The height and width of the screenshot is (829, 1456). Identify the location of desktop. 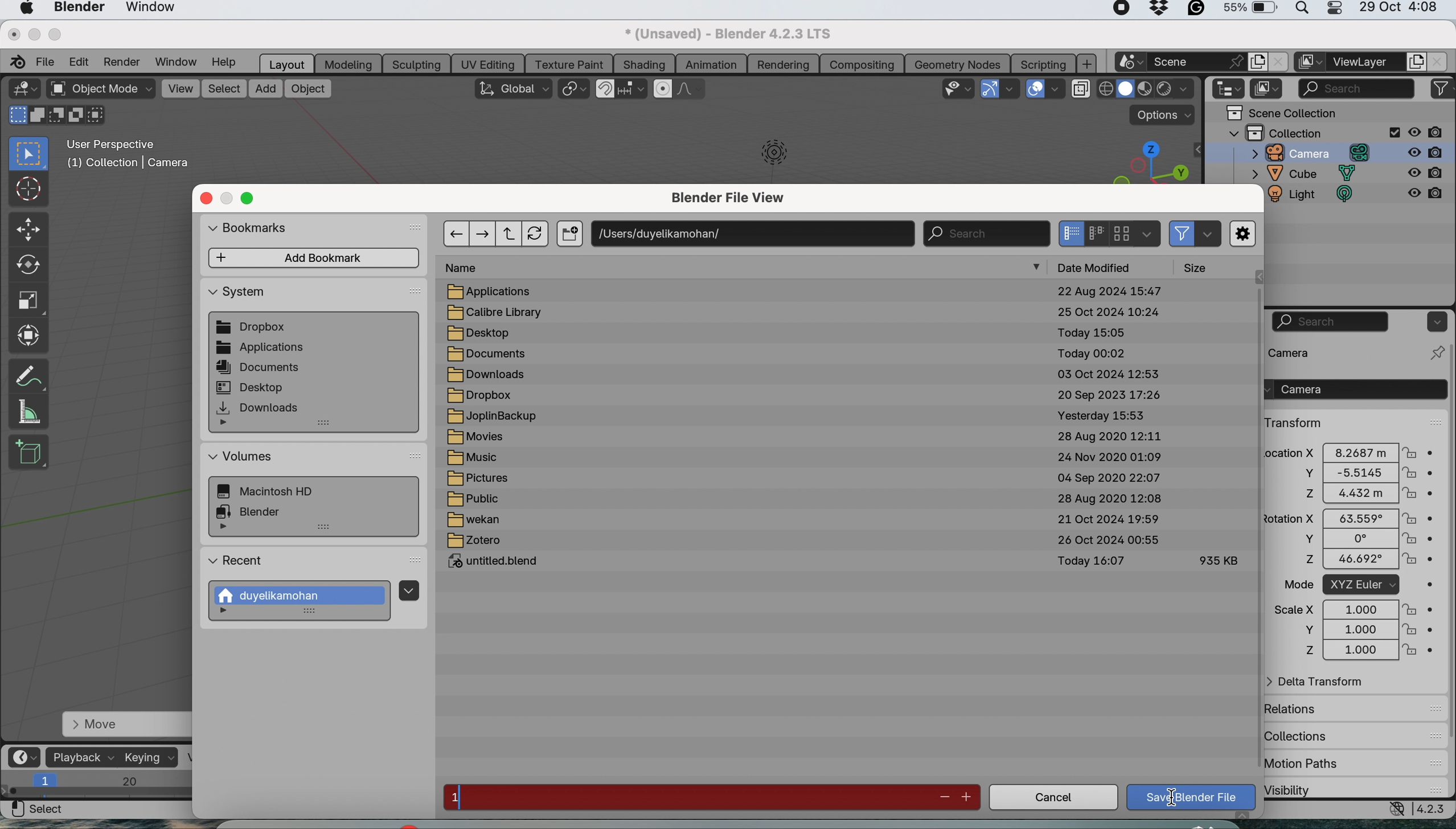
(486, 333).